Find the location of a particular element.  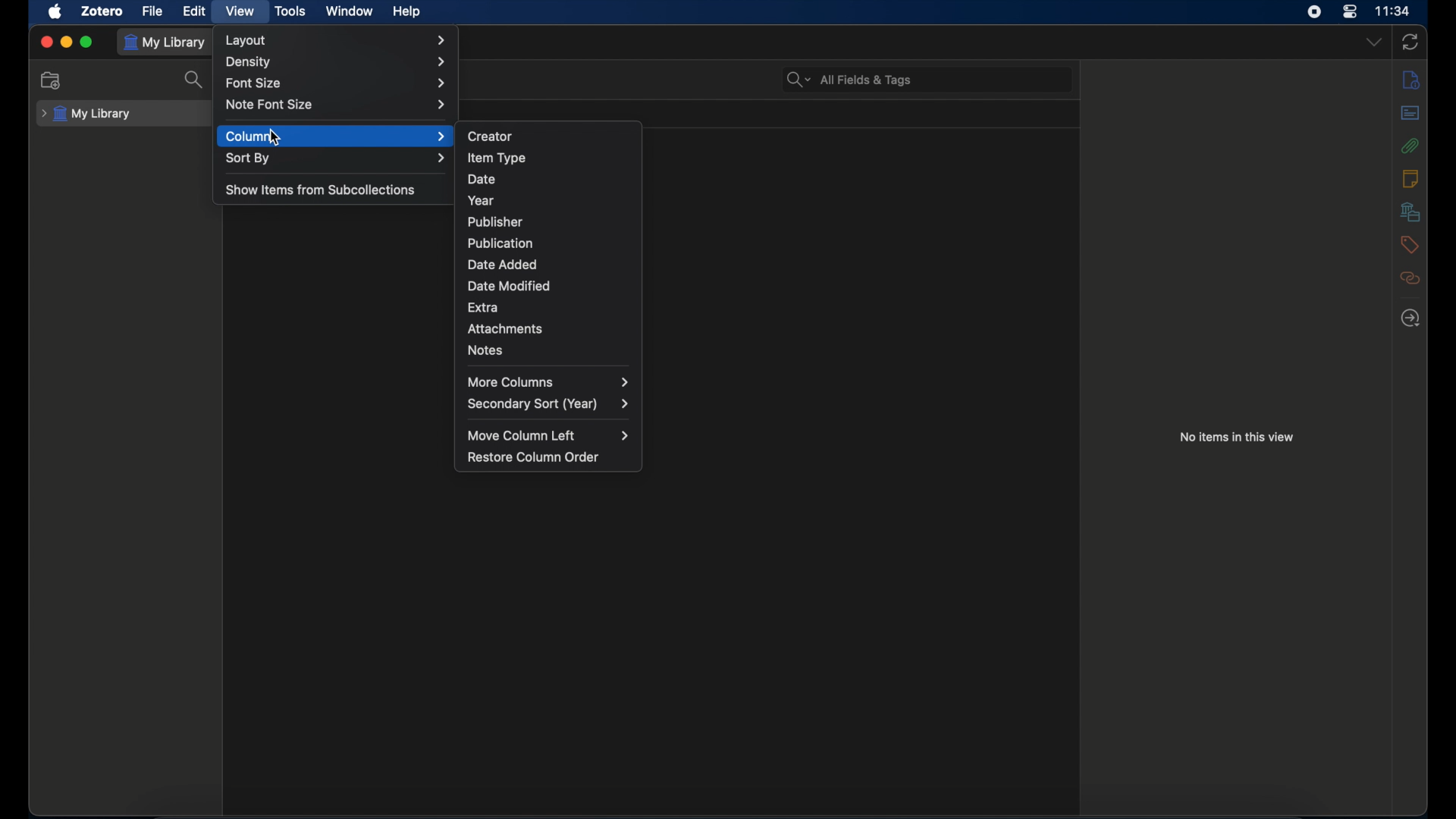

cursor is located at coordinates (276, 137).